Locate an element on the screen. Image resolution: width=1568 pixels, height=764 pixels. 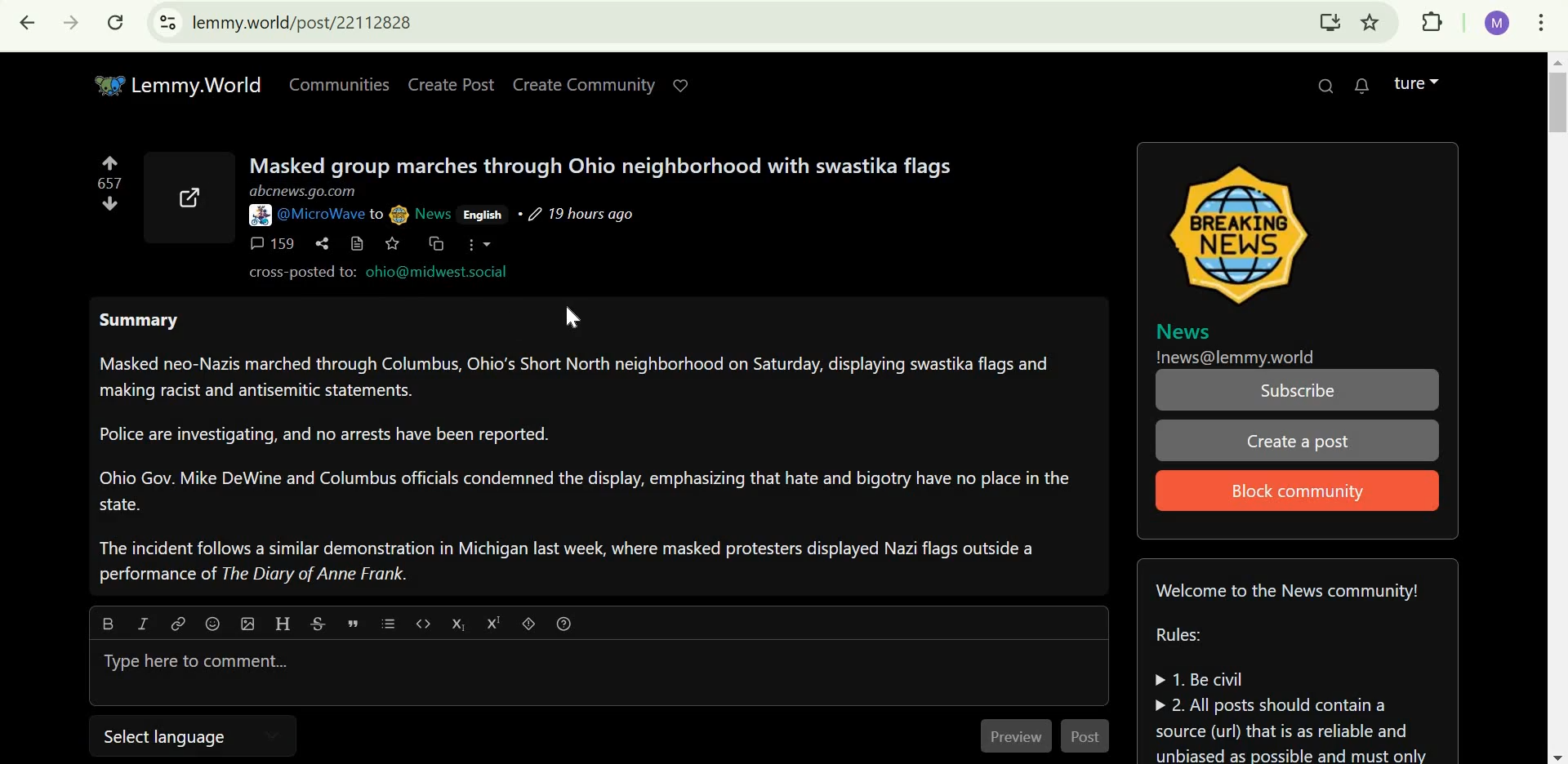
Italic is located at coordinates (141, 623).